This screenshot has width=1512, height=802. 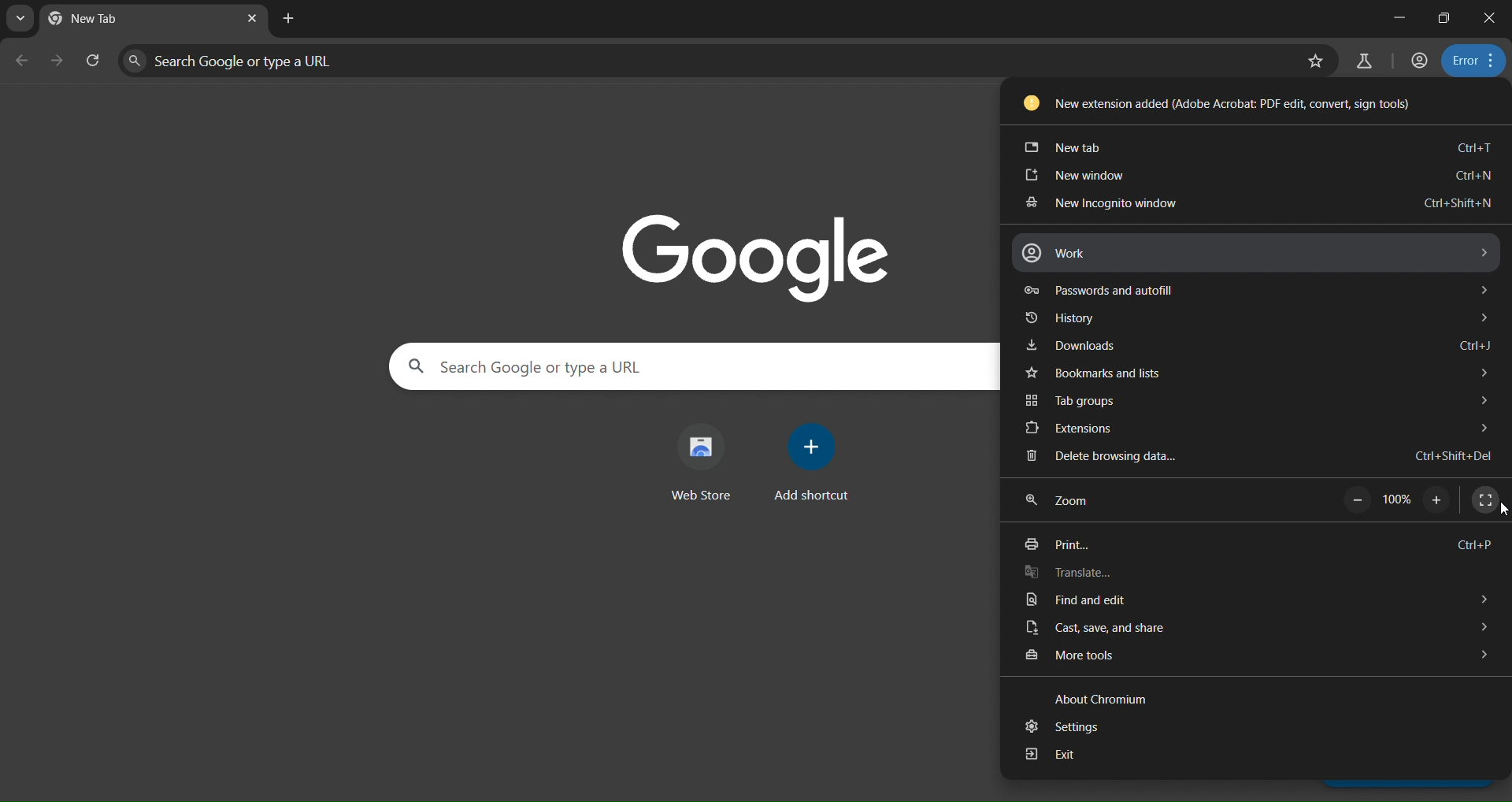 I want to click on search  google or type a URL, so click(x=696, y=366).